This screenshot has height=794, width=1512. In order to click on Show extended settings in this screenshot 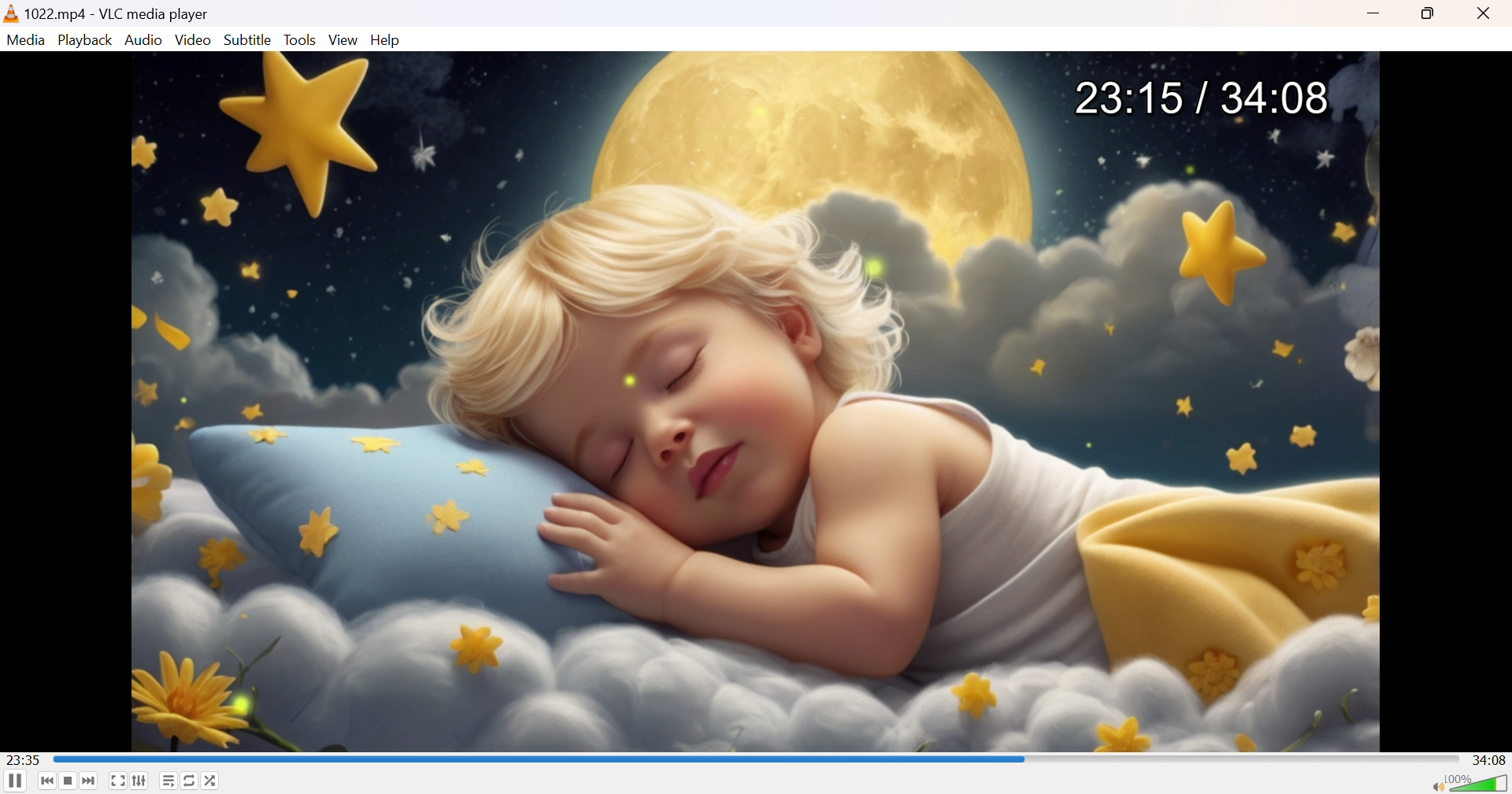, I will do `click(141, 781)`.